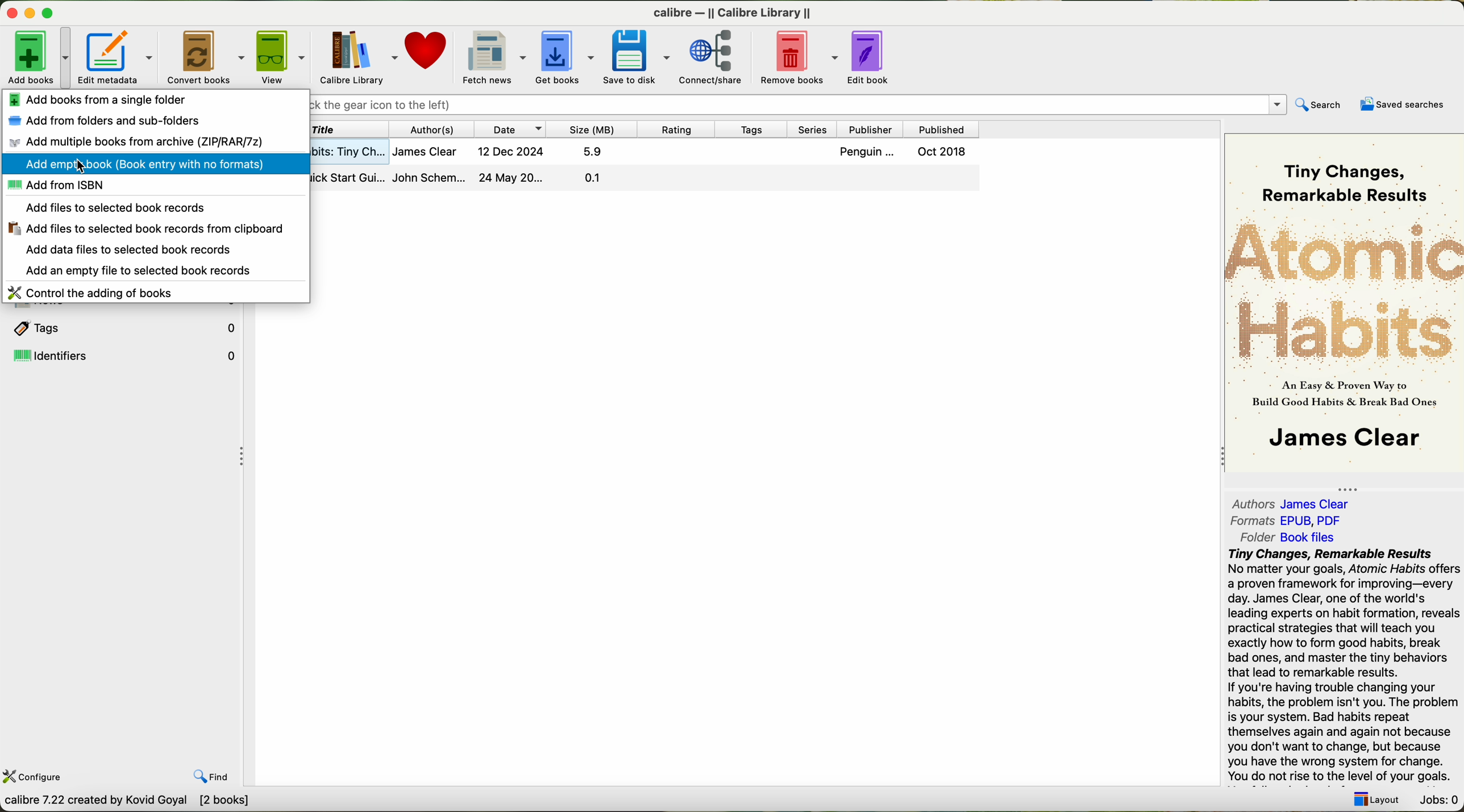 The image size is (1464, 812). Describe the element at coordinates (145, 228) in the screenshot. I see `add files to selected book records from clipboard` at that location.